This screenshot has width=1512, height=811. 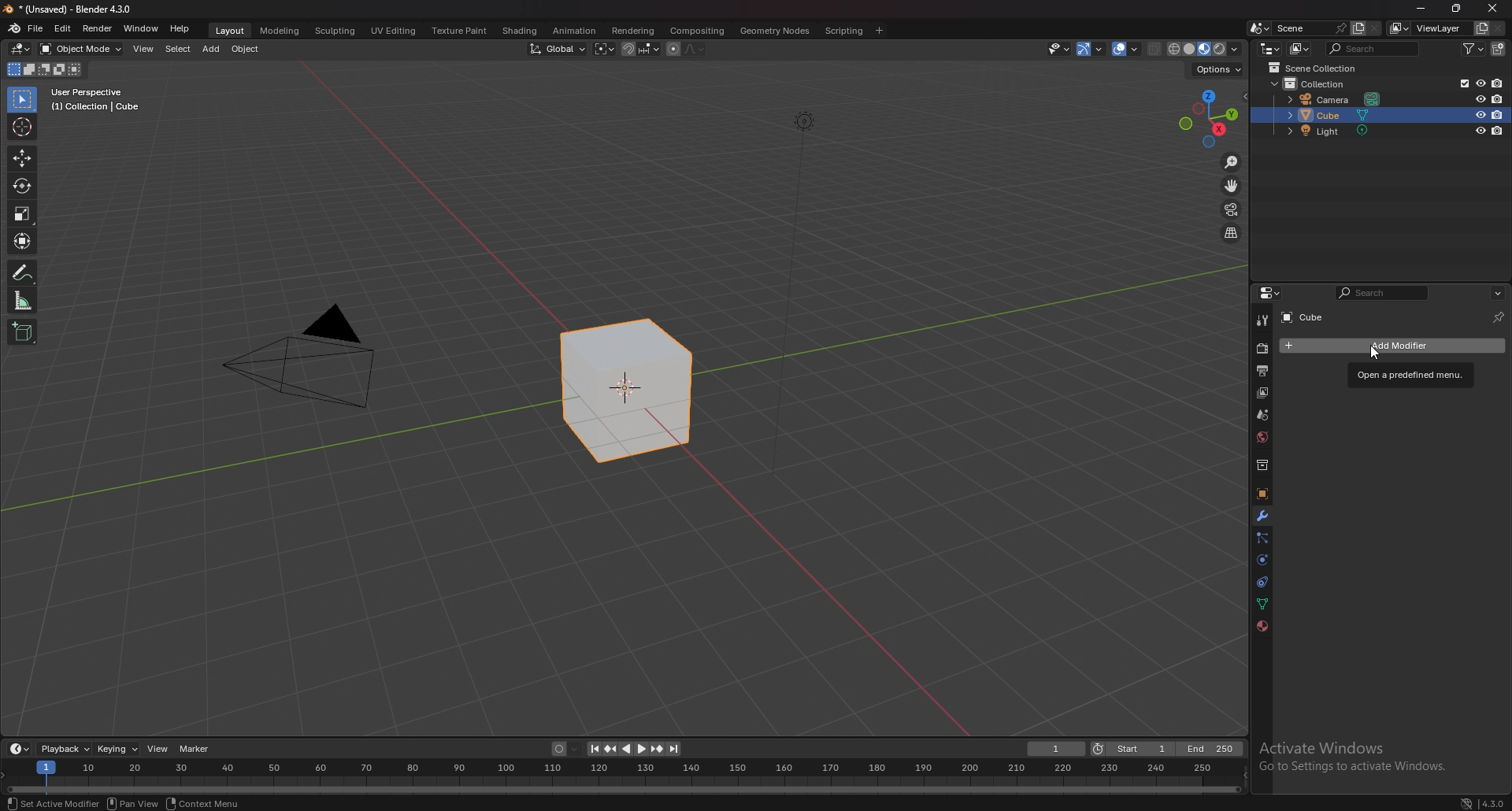 I want to click on collection, so click(x=1261, y=465).